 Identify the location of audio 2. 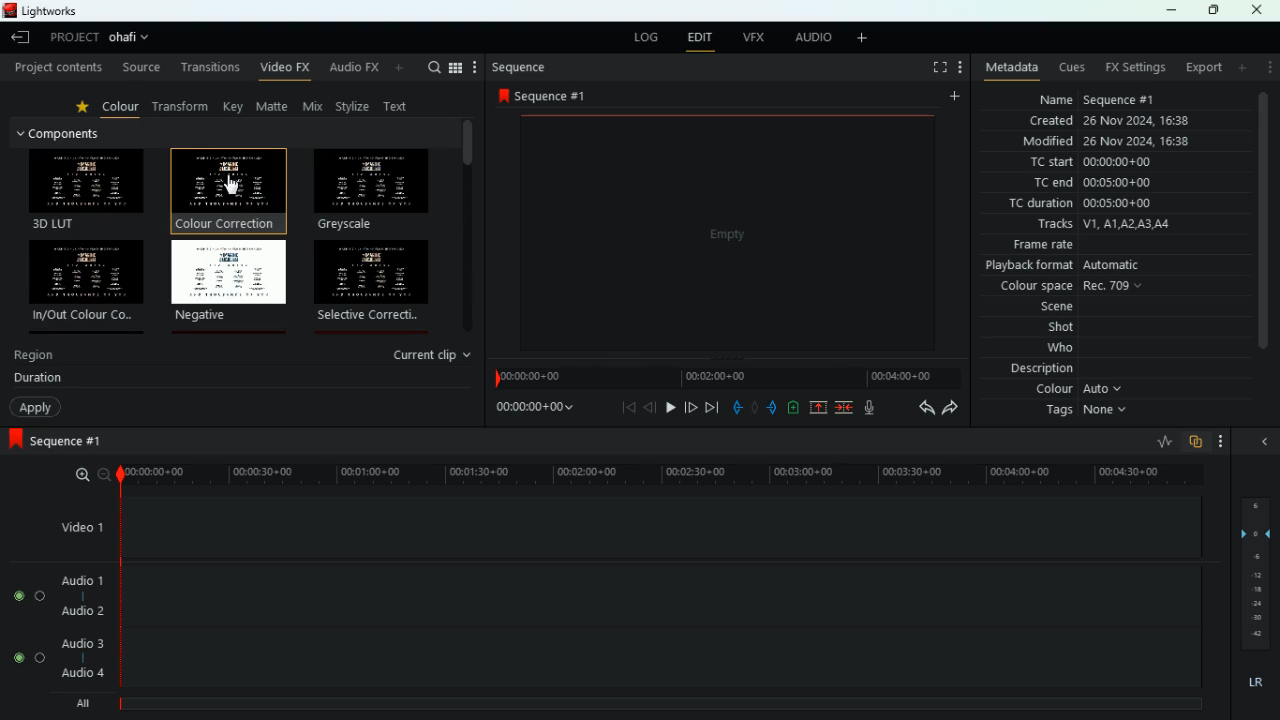
(82, 612).